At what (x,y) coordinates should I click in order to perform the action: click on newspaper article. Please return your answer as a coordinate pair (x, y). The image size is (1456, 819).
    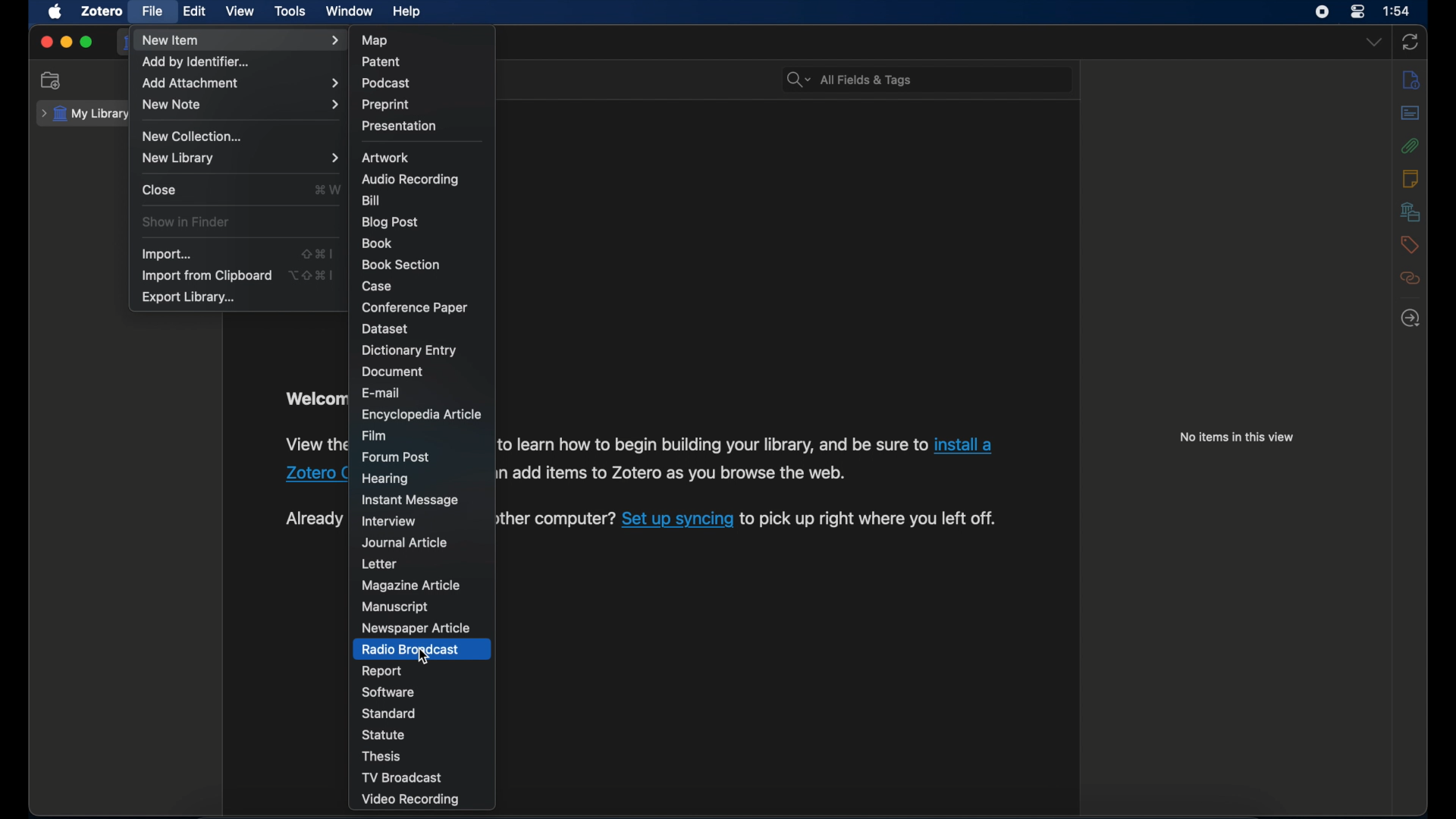
    Looking at the image, I should click on (415, 629).